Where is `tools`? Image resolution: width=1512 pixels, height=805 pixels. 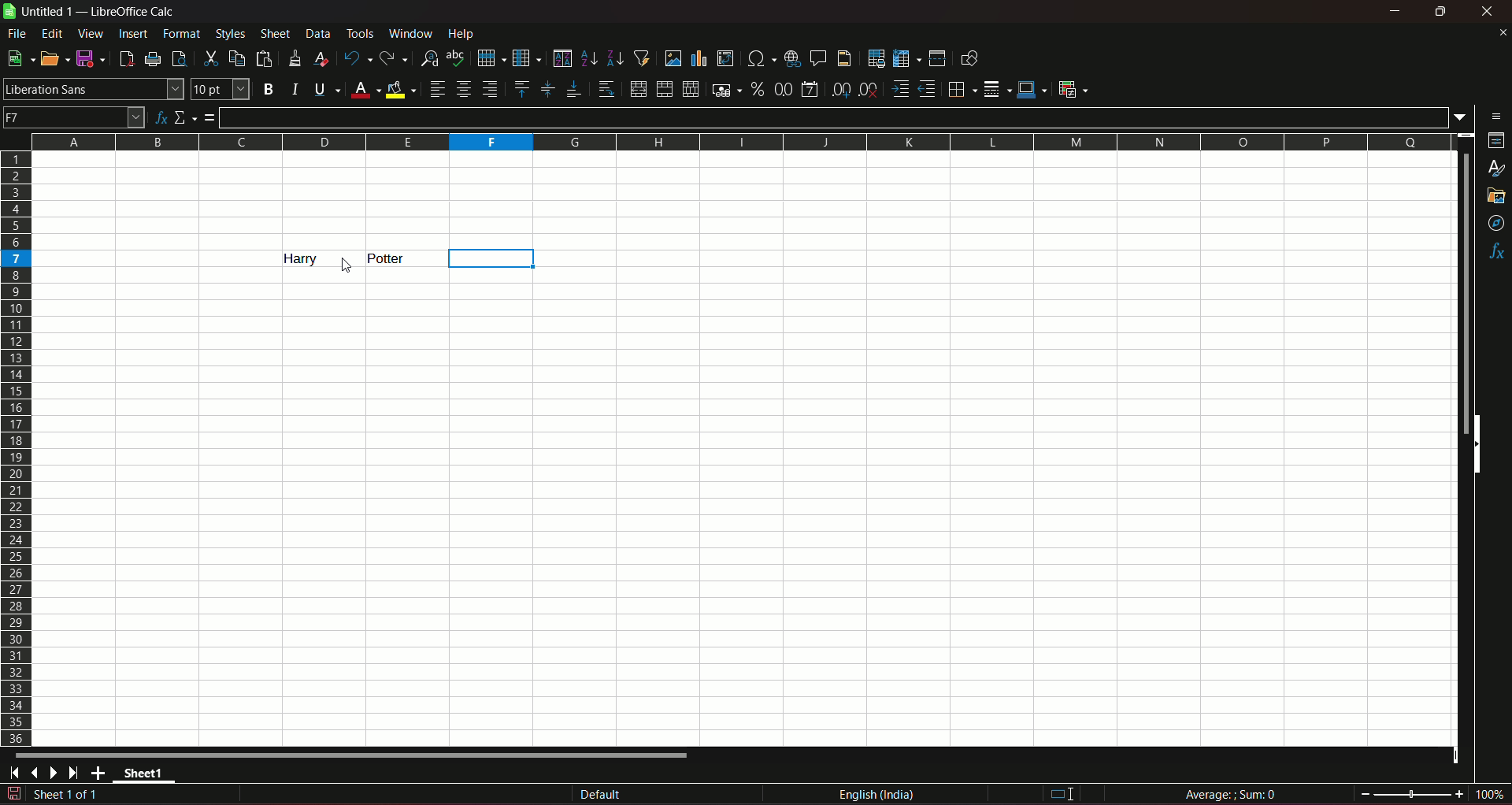
tools is located at coordinates (361, 33).